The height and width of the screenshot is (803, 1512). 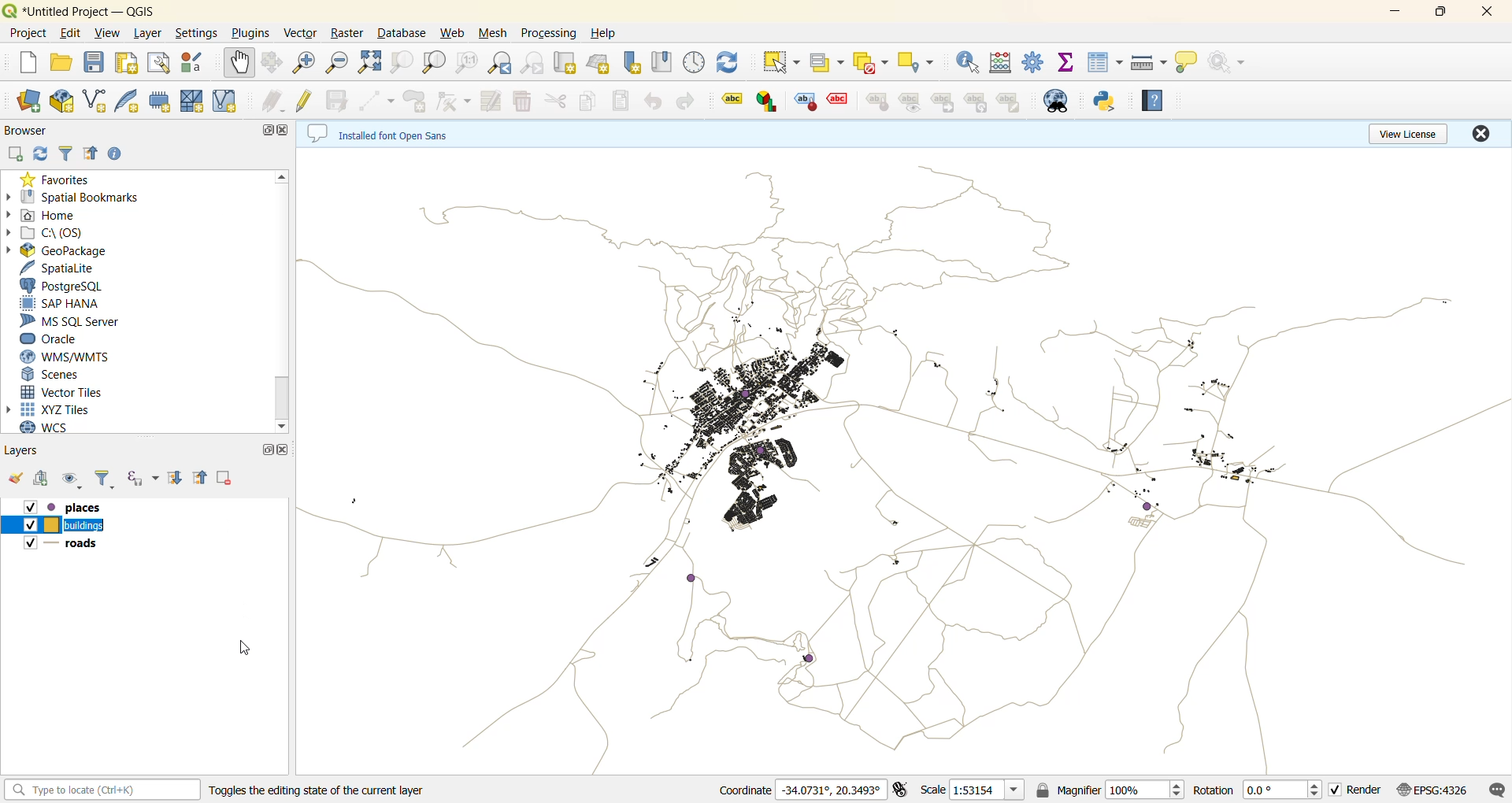 What do you see at coordinates (97, 65) in the screenshot?
I see `save` at bounding box center [97, 65].